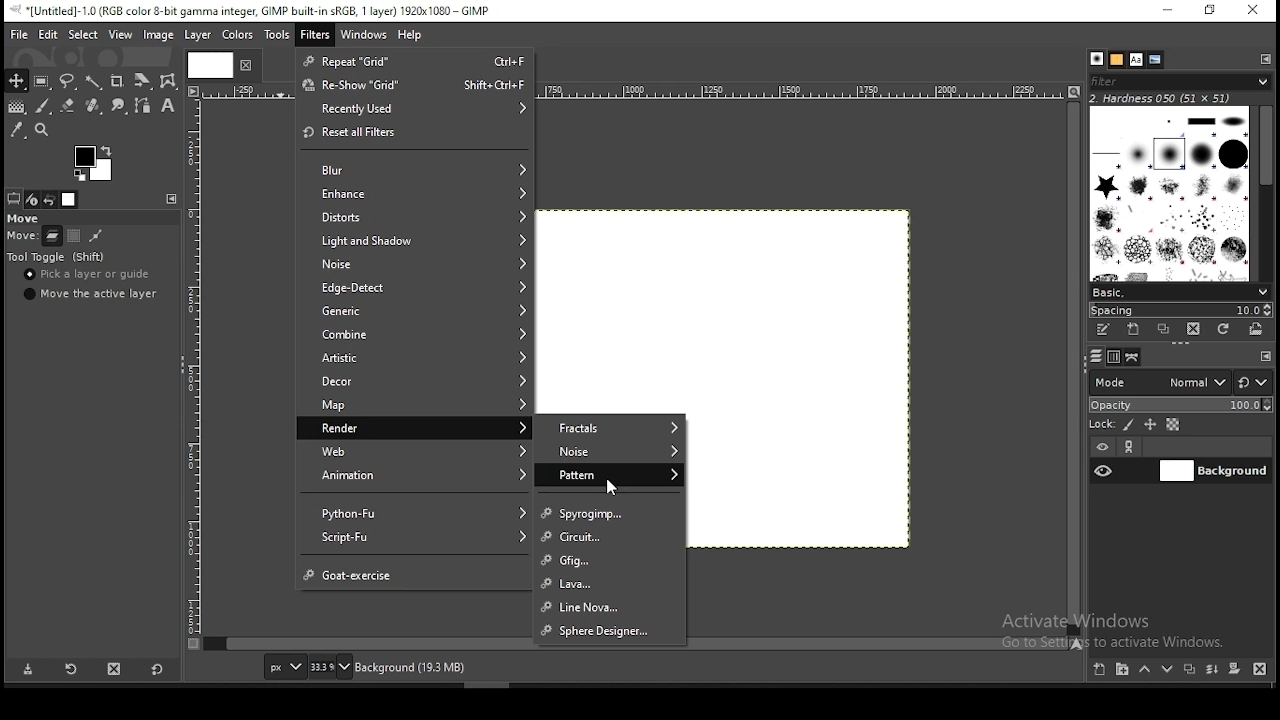 The image size is (1280, 720). What do you see at coordinates (1117, 60) in the screenshot?
I see `patterns` at bounding box center [1117, 60].